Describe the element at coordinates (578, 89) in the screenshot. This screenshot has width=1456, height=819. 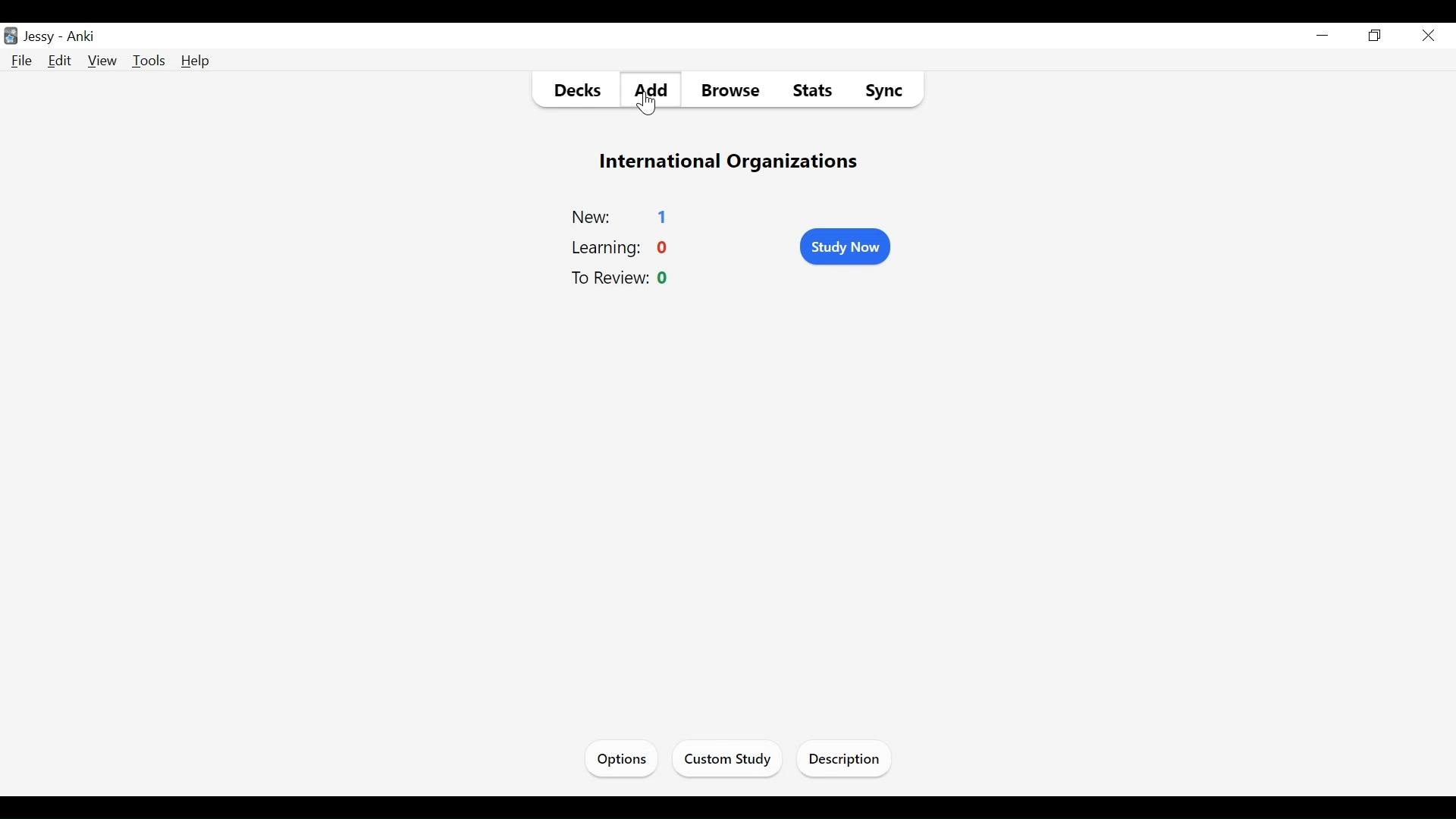
I see `Decks` at that location.